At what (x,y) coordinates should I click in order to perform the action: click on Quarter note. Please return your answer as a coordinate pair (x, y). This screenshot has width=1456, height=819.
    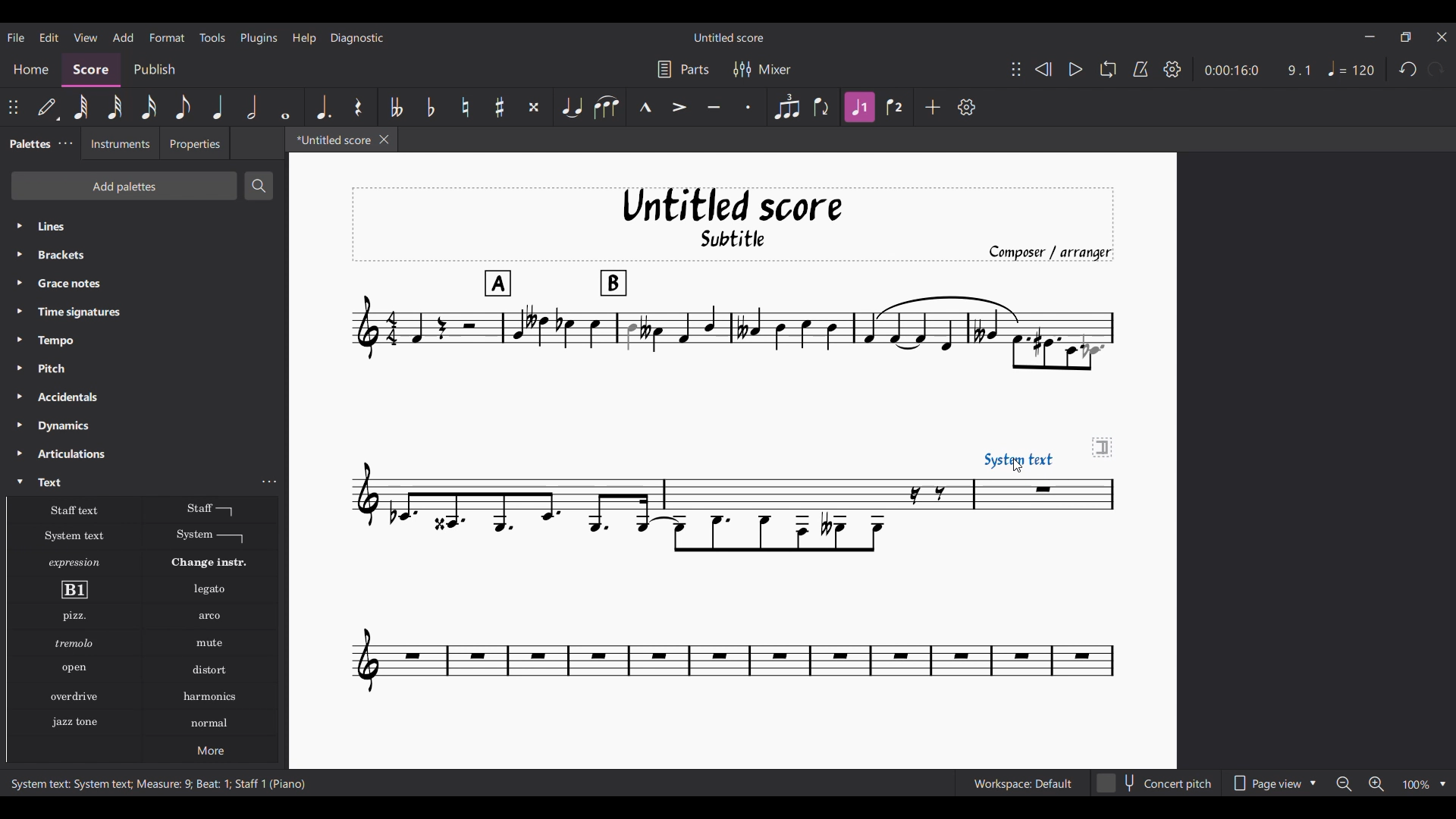
    Looking at the image, I should click on (218, 106).